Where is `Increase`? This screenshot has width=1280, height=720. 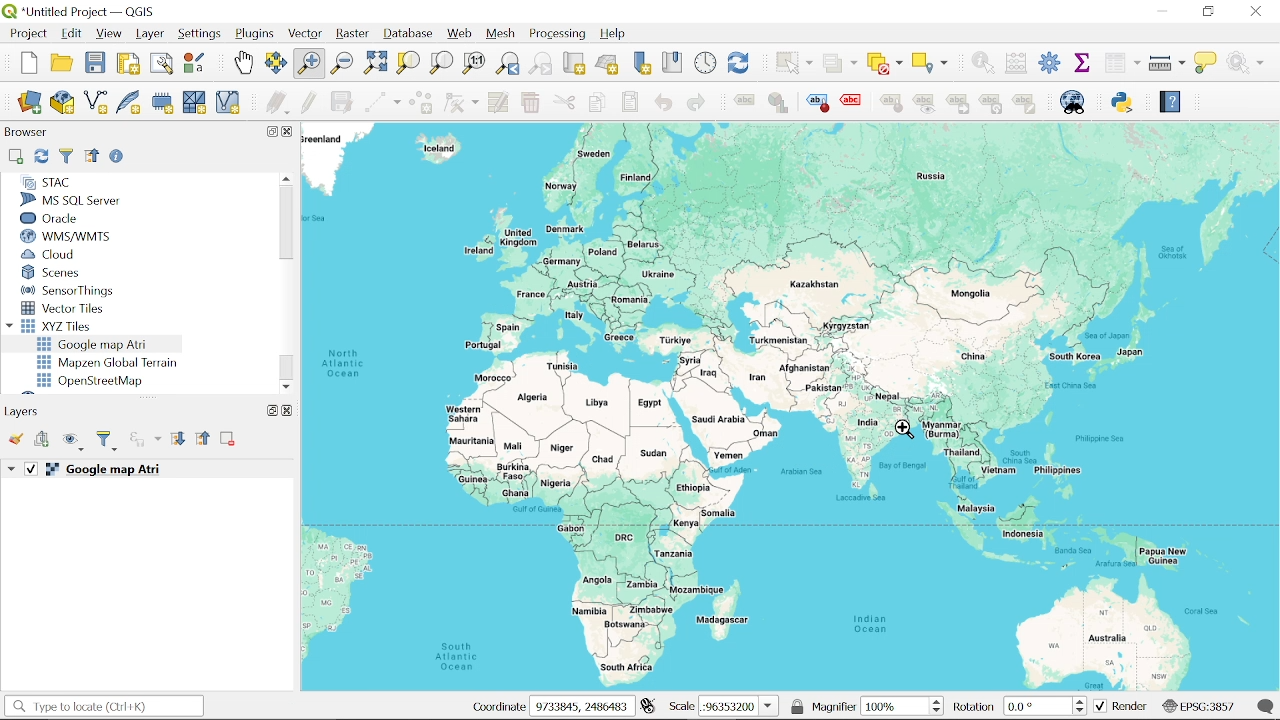 Increase is located at coordinates (940, 699).